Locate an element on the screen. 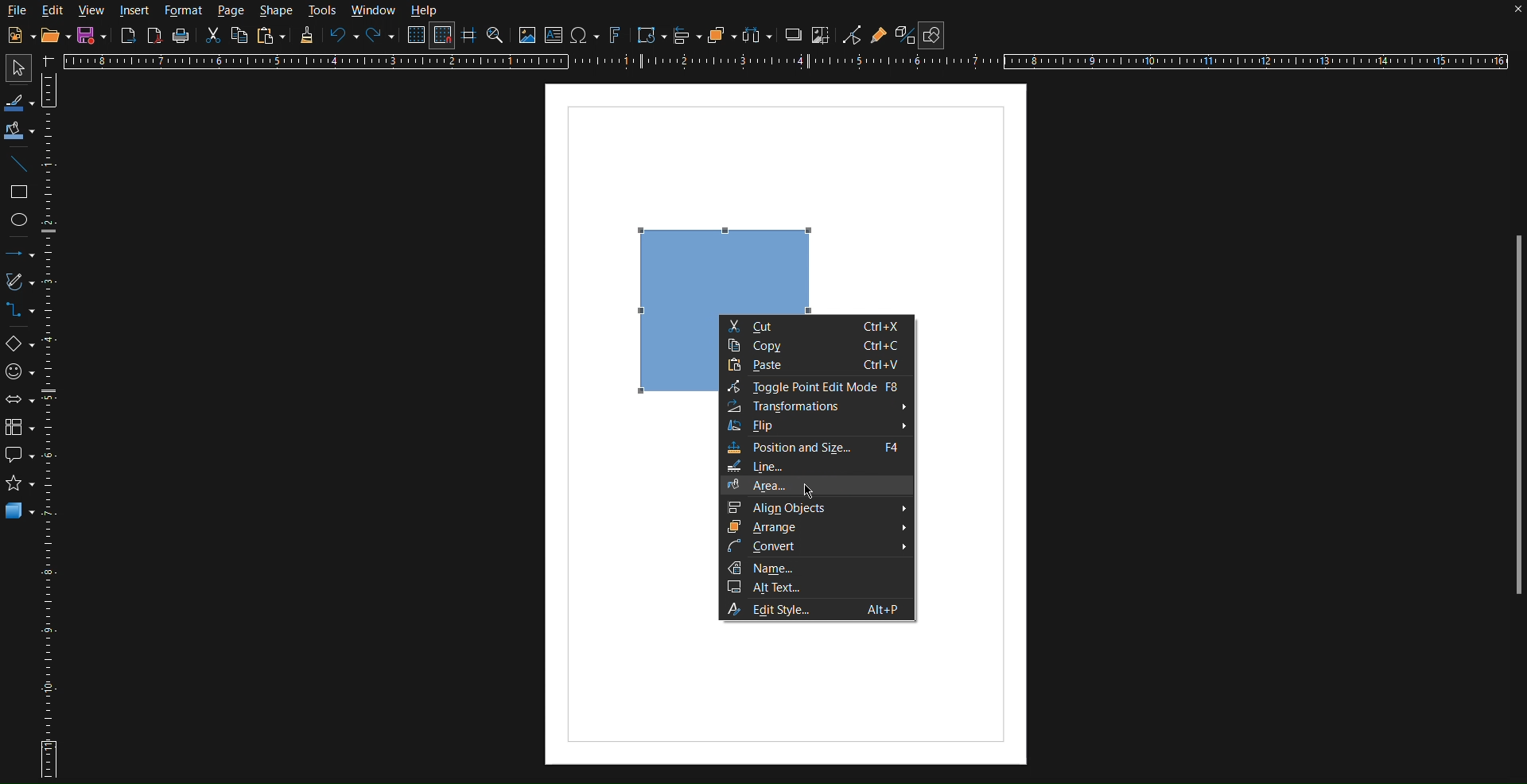  Save is located at coordinates (92, 35).